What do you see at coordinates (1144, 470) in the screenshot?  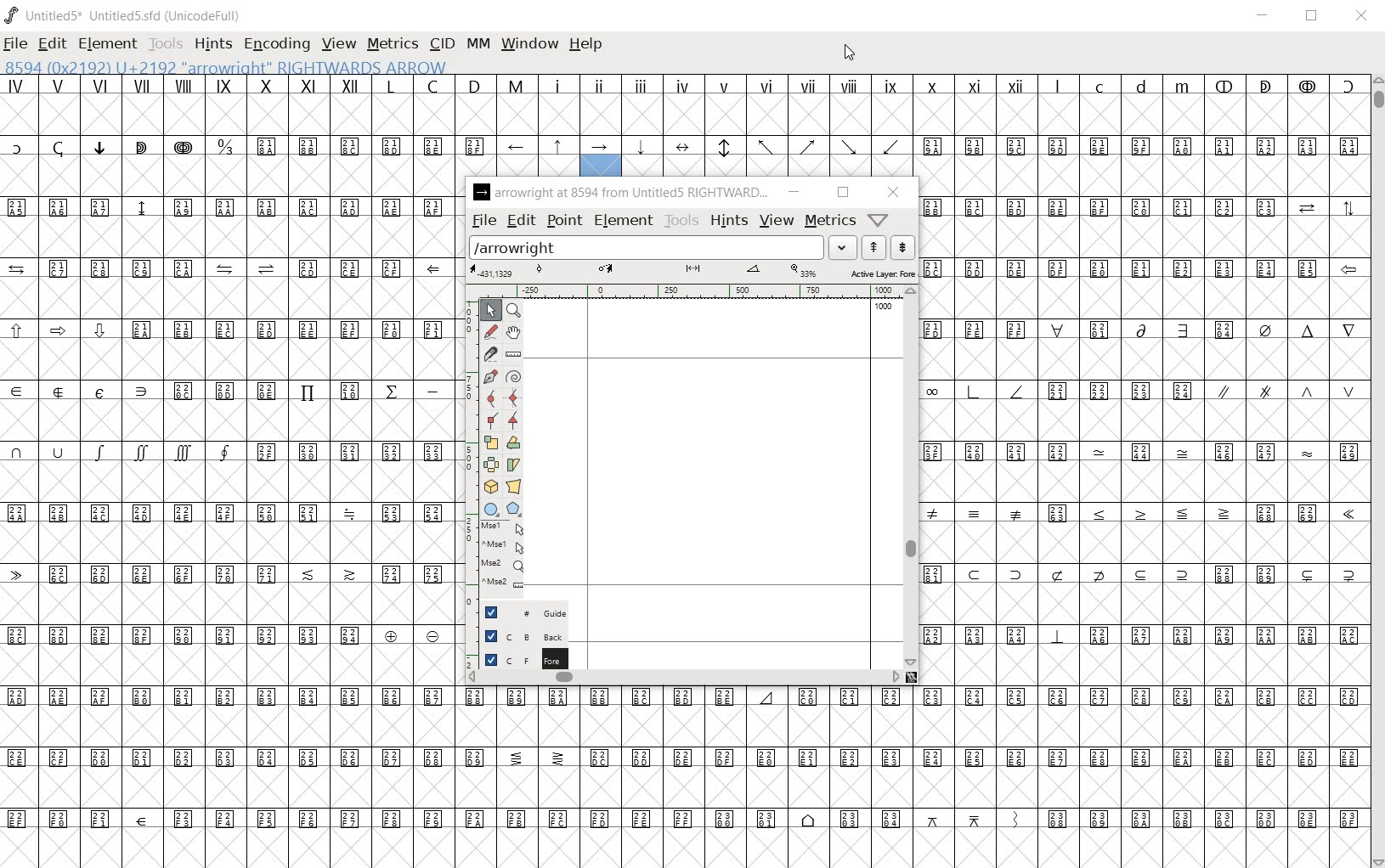 I see `glyph characters` at bounding box center [1144, 470].